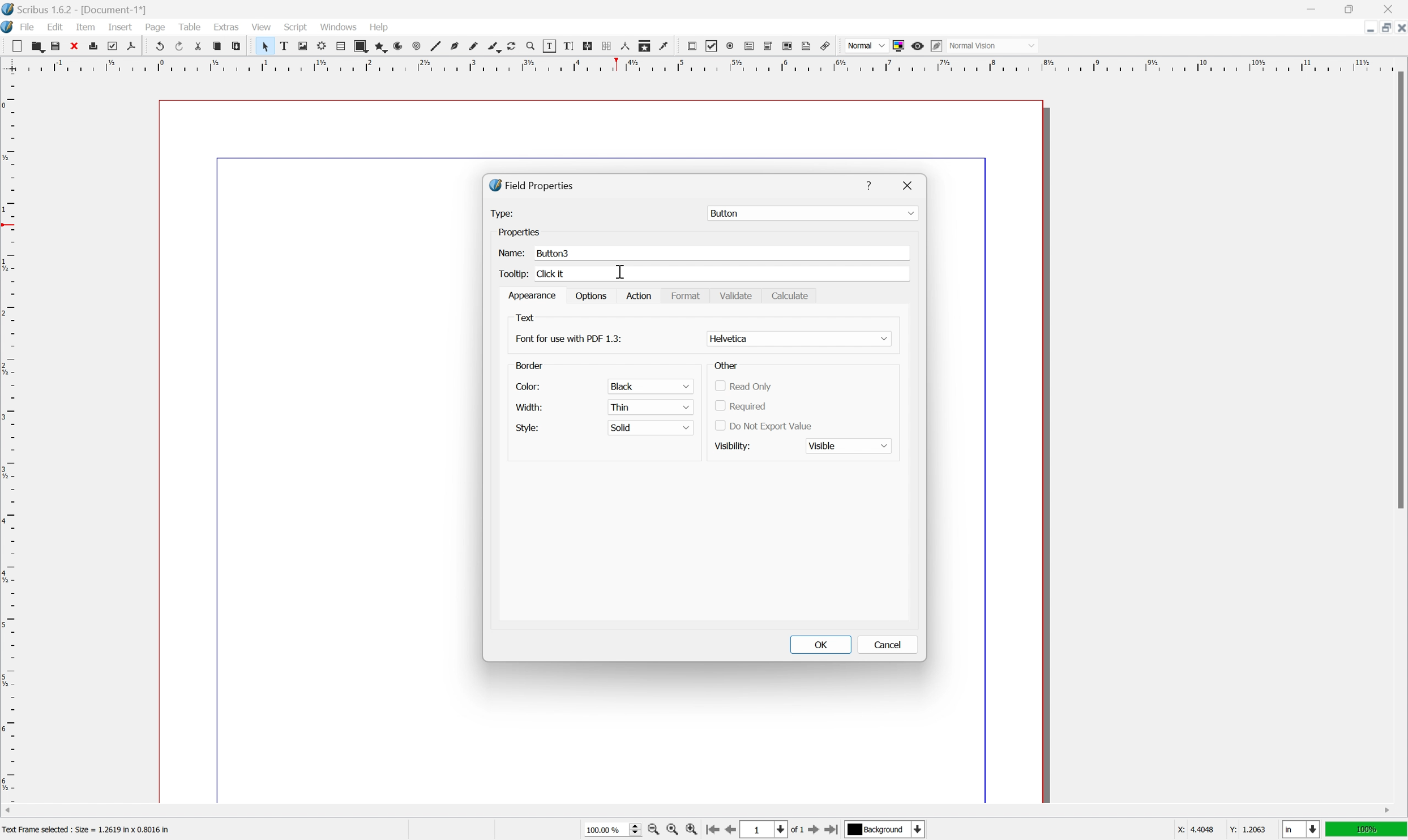  Describe the element at coordinates (493, 46) in the screenshot. I see `calligraphy line` at that location.